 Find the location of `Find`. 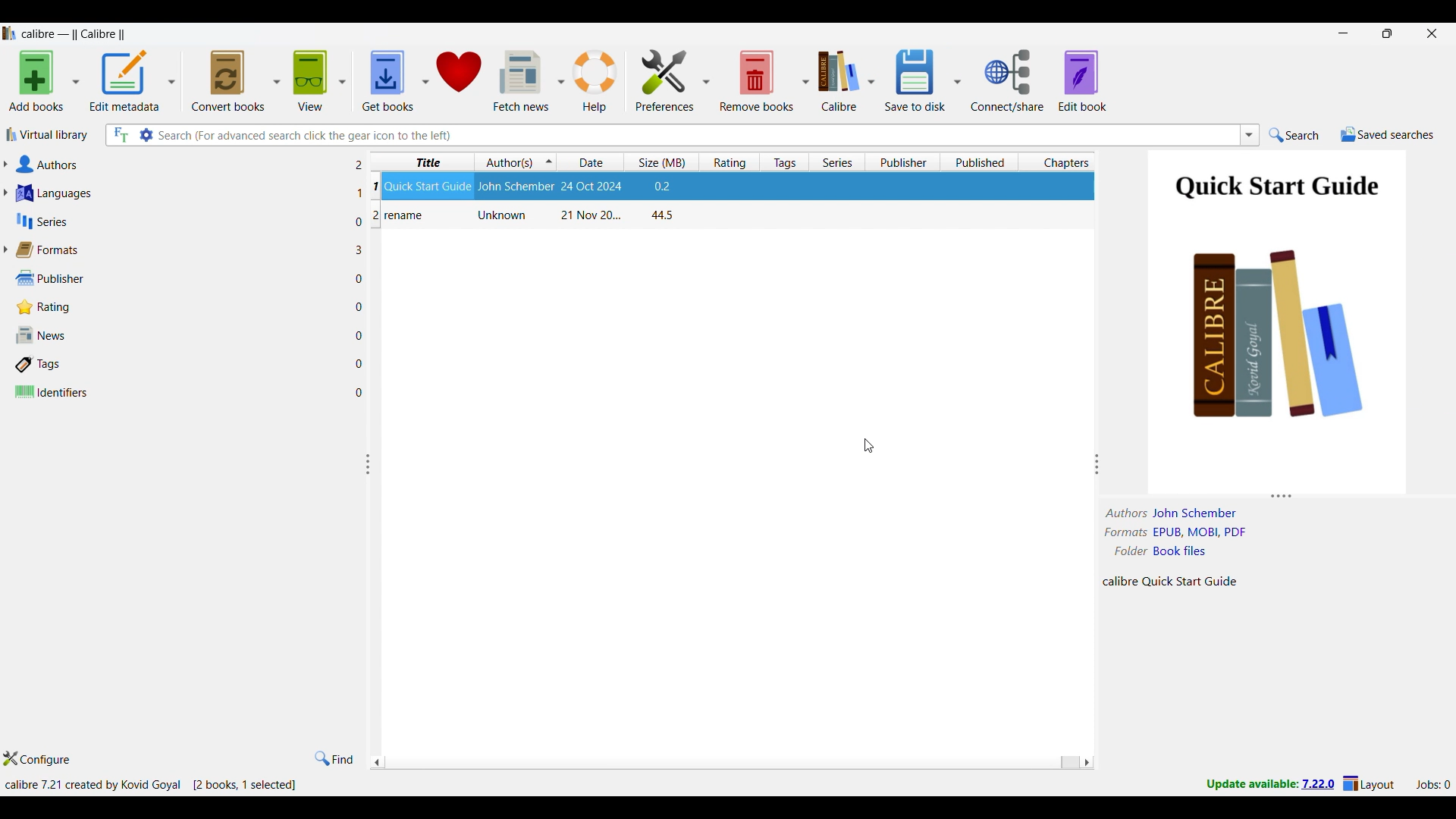

Find is located at coordinates (334, 758).